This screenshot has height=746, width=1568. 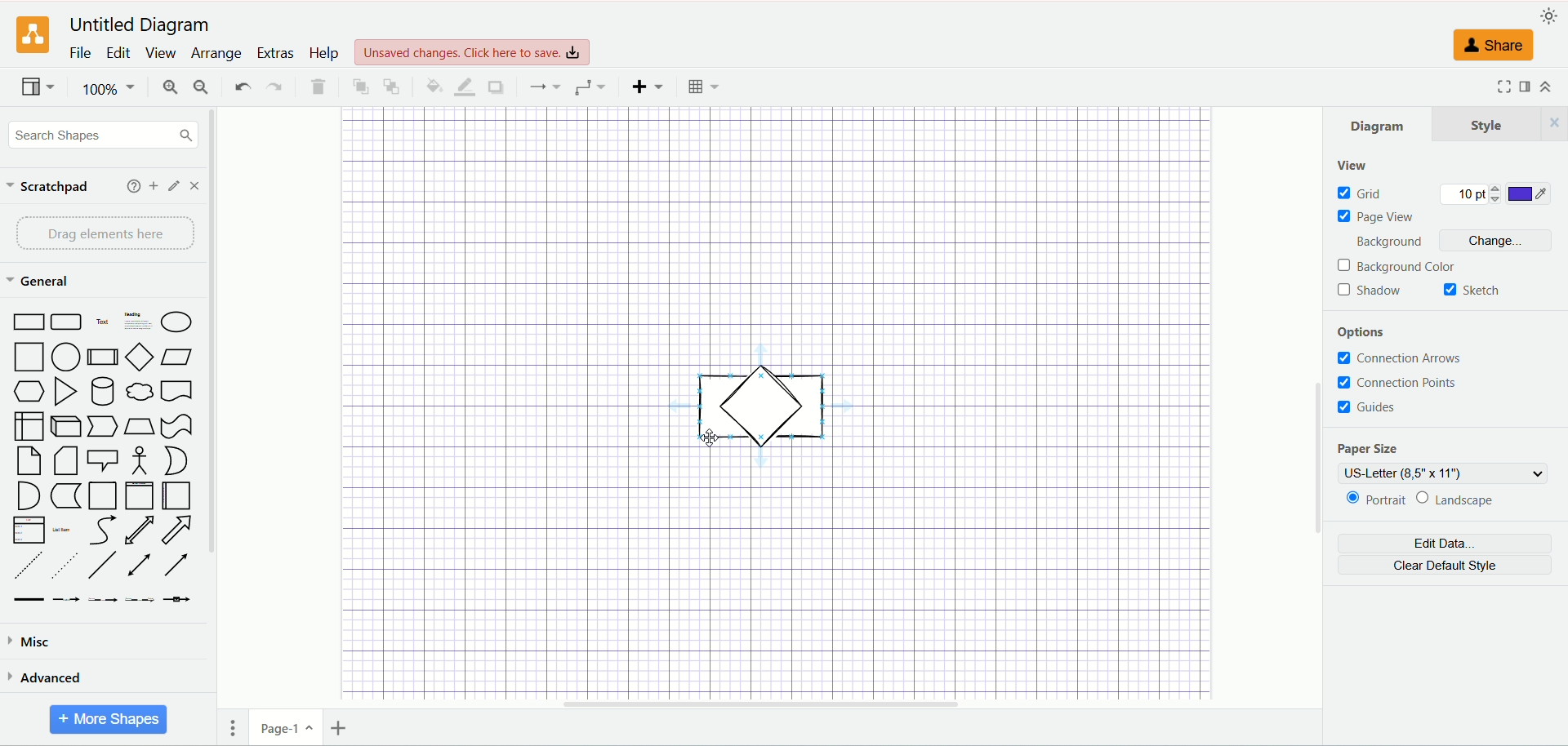 I want to click on logo, so click(x=31, y=36).